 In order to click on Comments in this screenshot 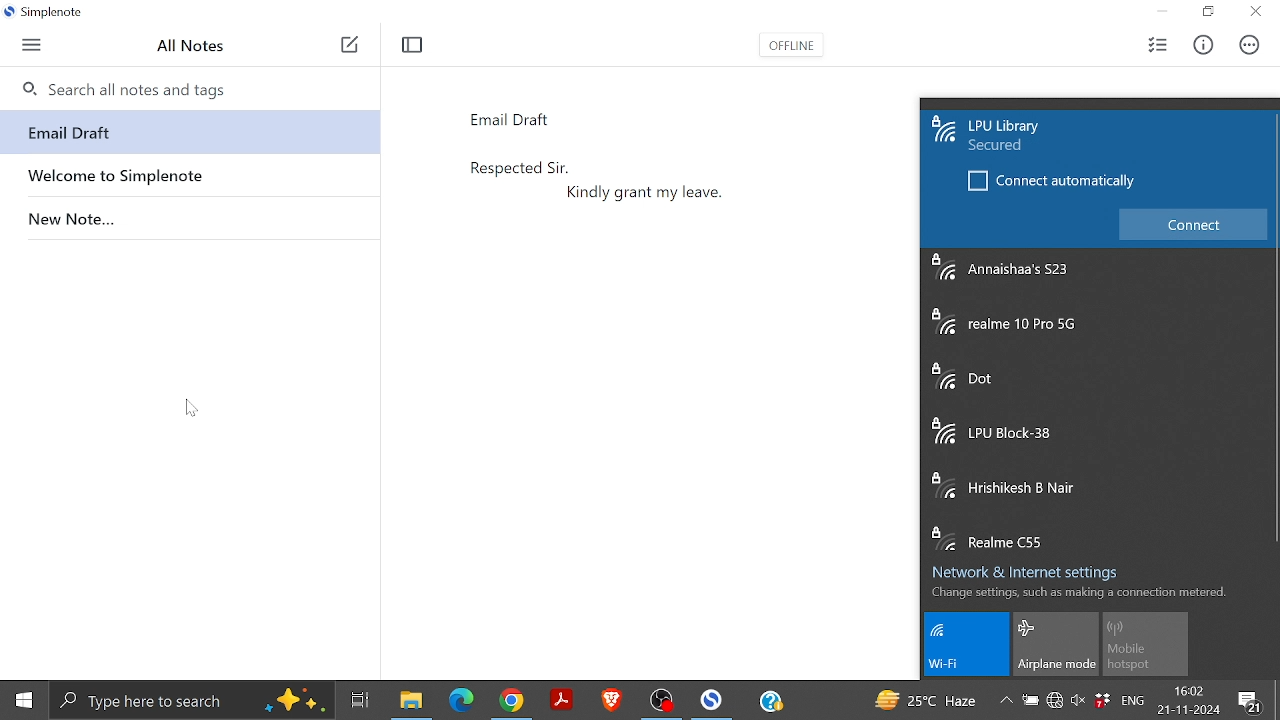, I will do `click(1252, 701)`.